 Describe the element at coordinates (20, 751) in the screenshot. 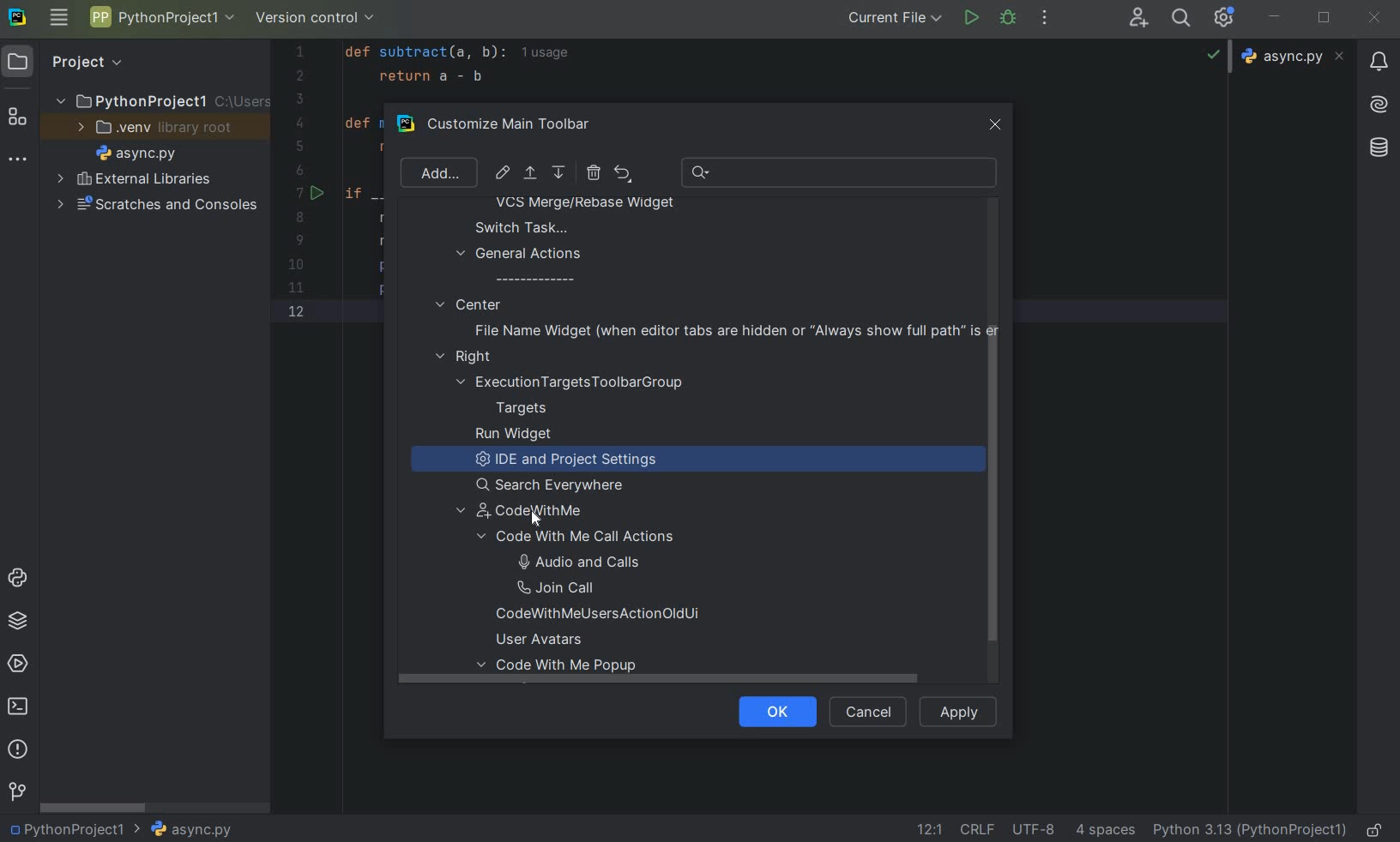

I see `PROBLEMS` at that location.